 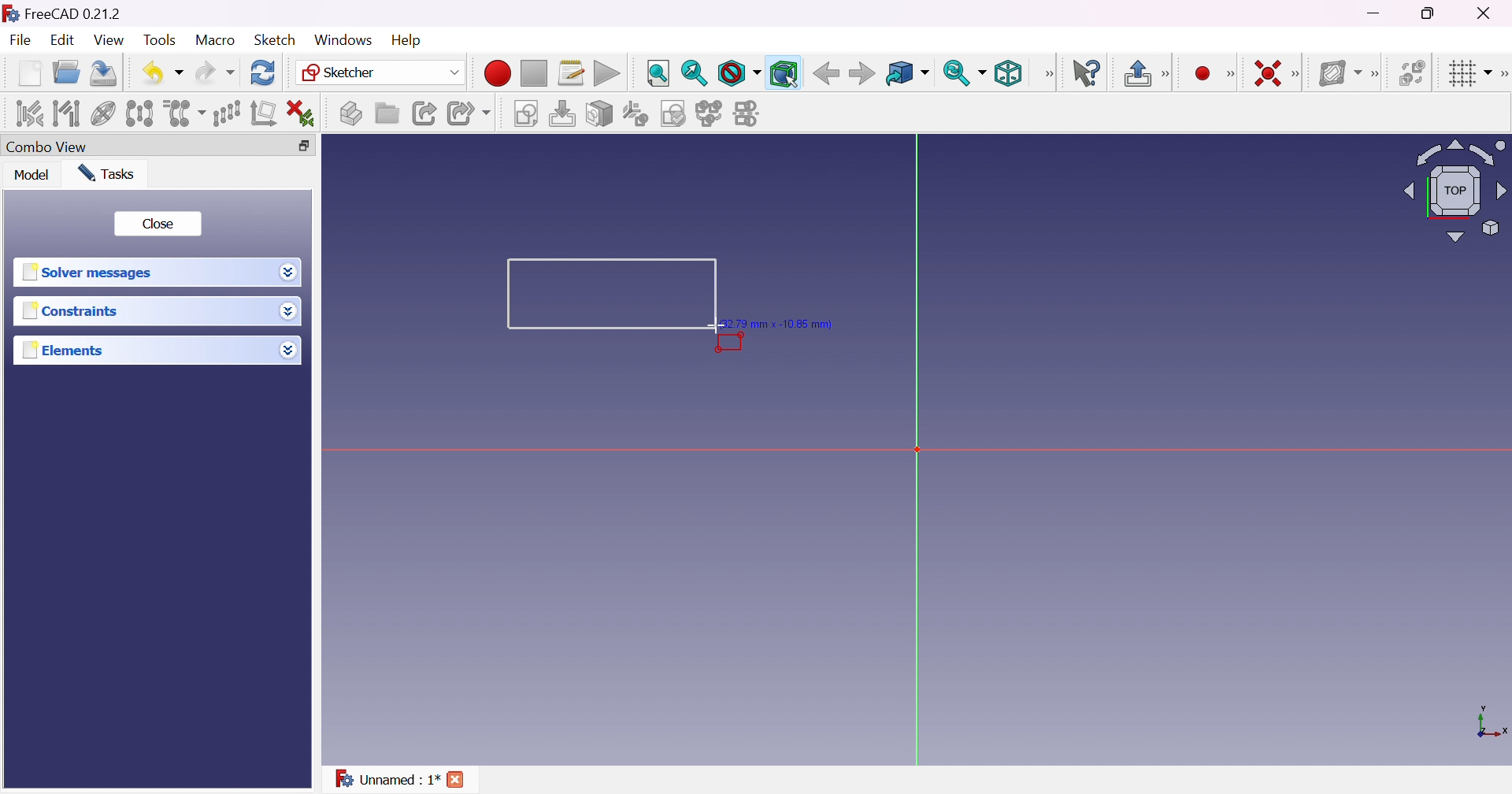 What do you see at coordinates (1136, 73) in the screenshot?
I see `Leave sketch` at bounding box center [1136, 73].